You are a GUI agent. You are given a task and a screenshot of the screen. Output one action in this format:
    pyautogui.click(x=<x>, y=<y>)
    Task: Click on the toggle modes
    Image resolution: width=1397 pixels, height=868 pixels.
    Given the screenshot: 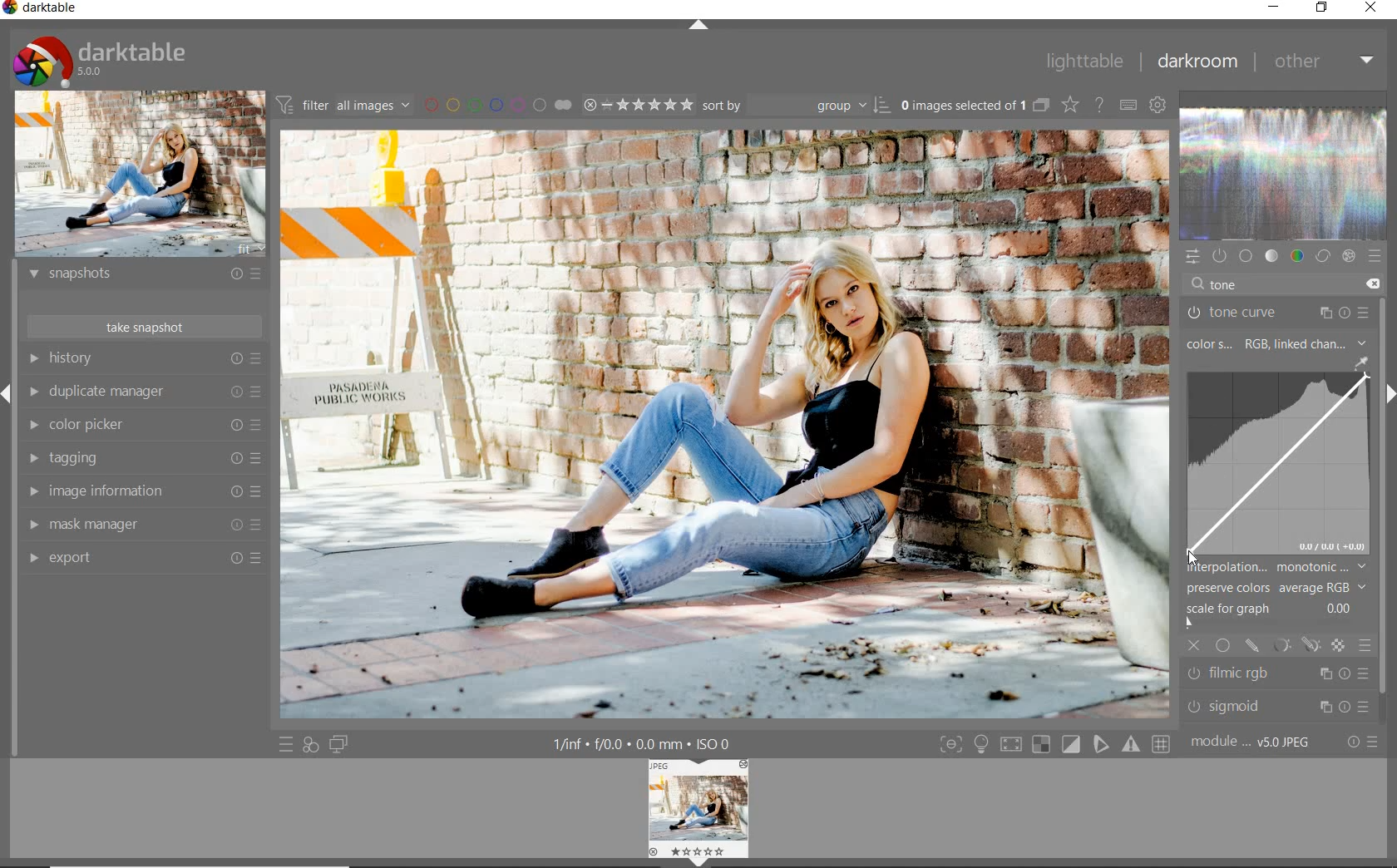 What is the action you would take?
    pyautogui.click(x=1052, y=745)
    